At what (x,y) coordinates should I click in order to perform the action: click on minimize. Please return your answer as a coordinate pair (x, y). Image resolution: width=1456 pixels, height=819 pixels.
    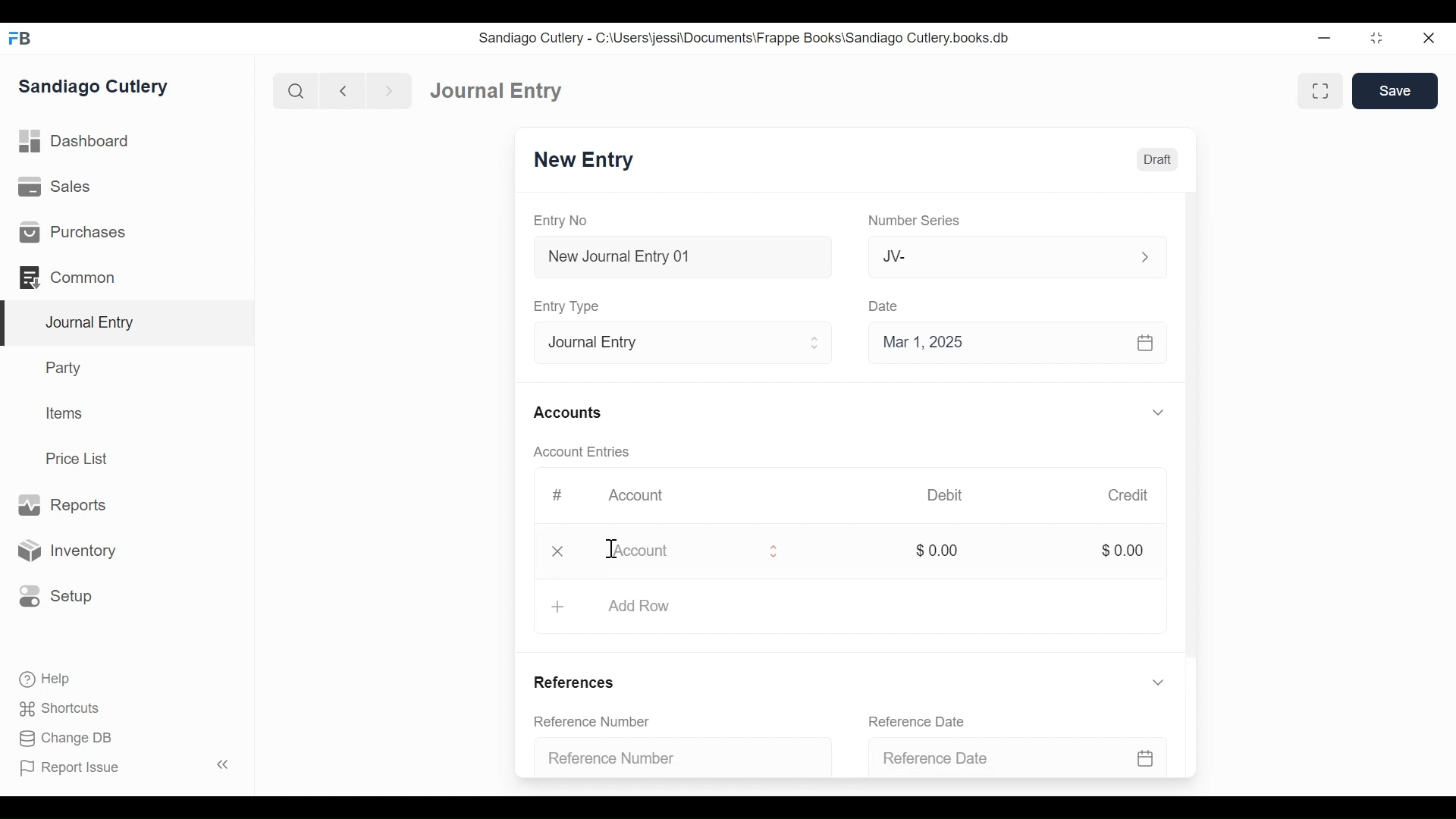
    Looking at the image, I should click on (1326, 35).